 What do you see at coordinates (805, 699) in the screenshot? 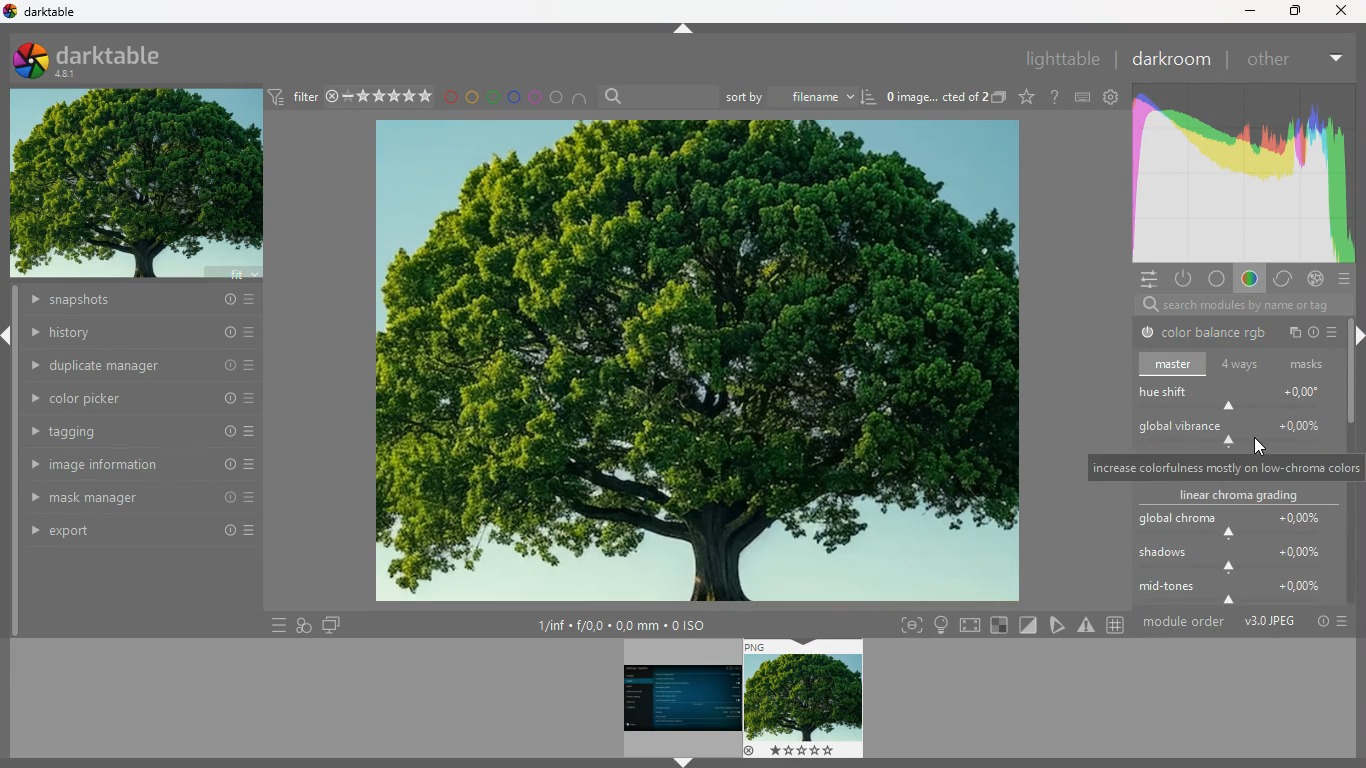
I see `image` at bounding box center [805, 699].